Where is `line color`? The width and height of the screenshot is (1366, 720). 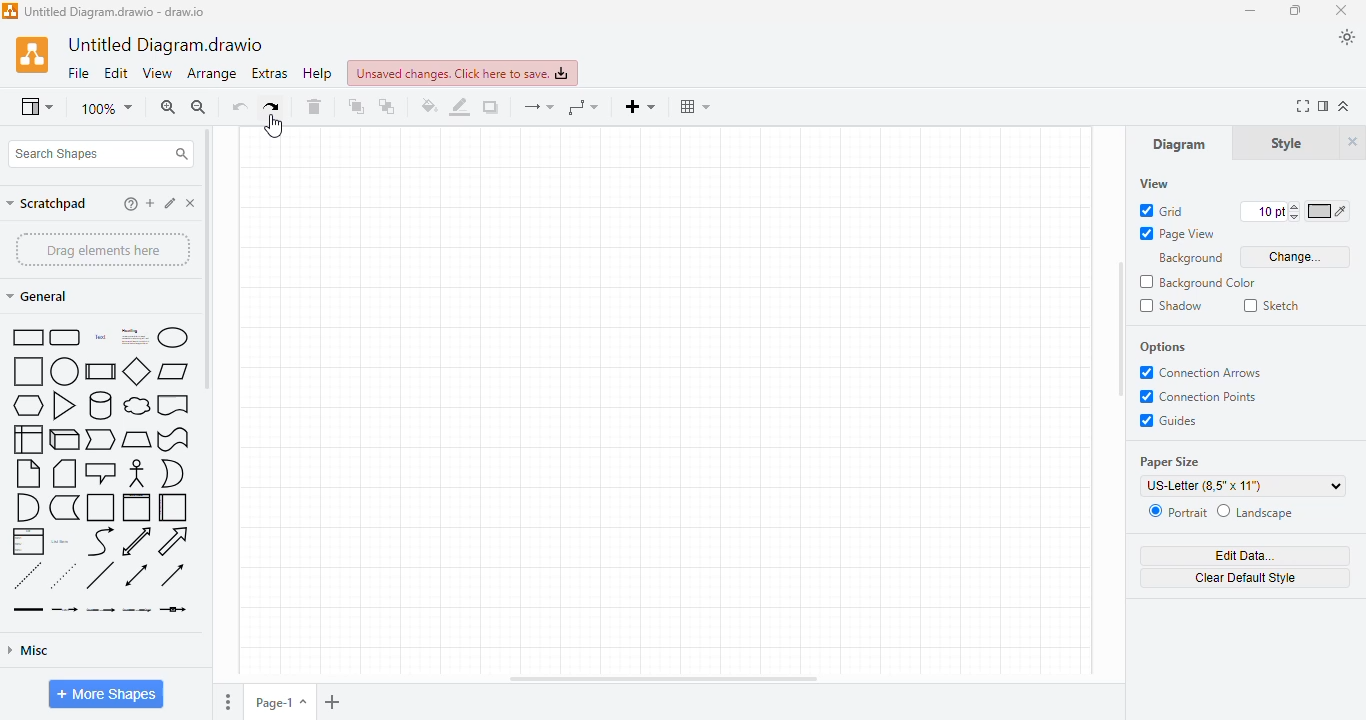
line color is located at coordinates (459, 106).